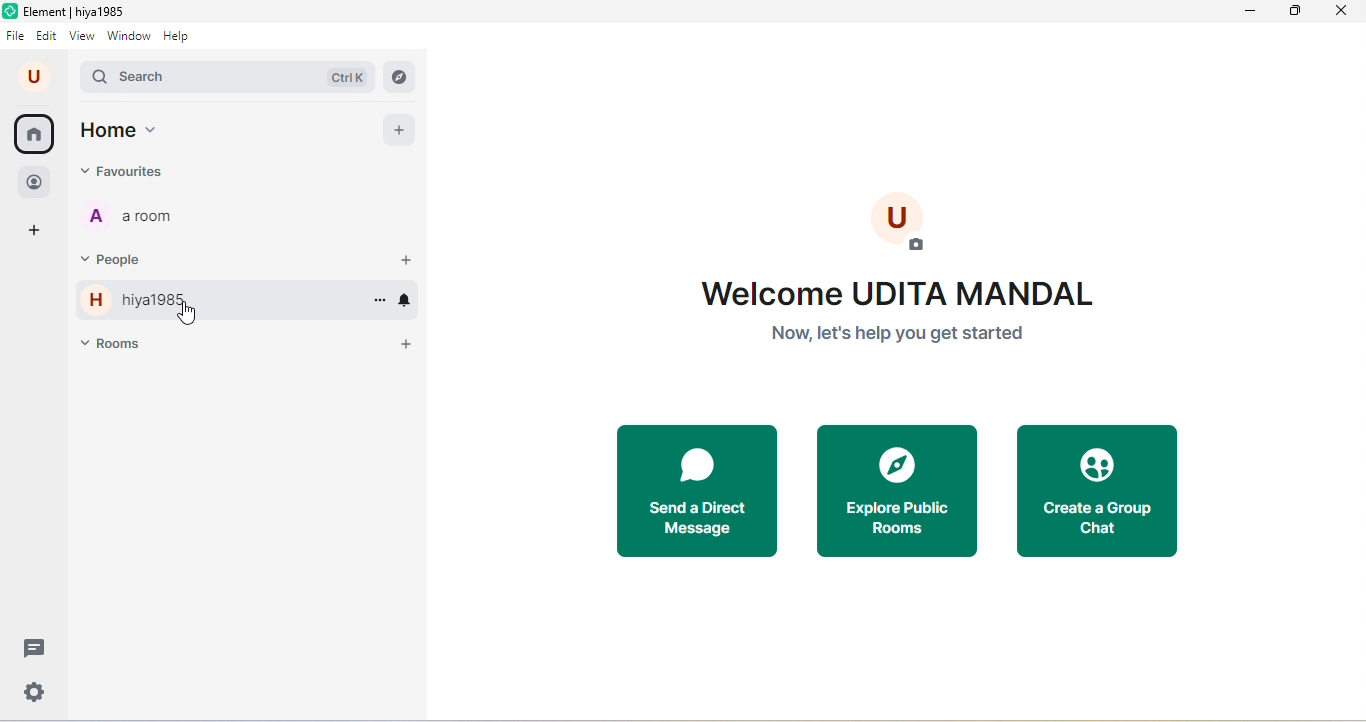  I want to click on  Rooms, so click(159, 342).